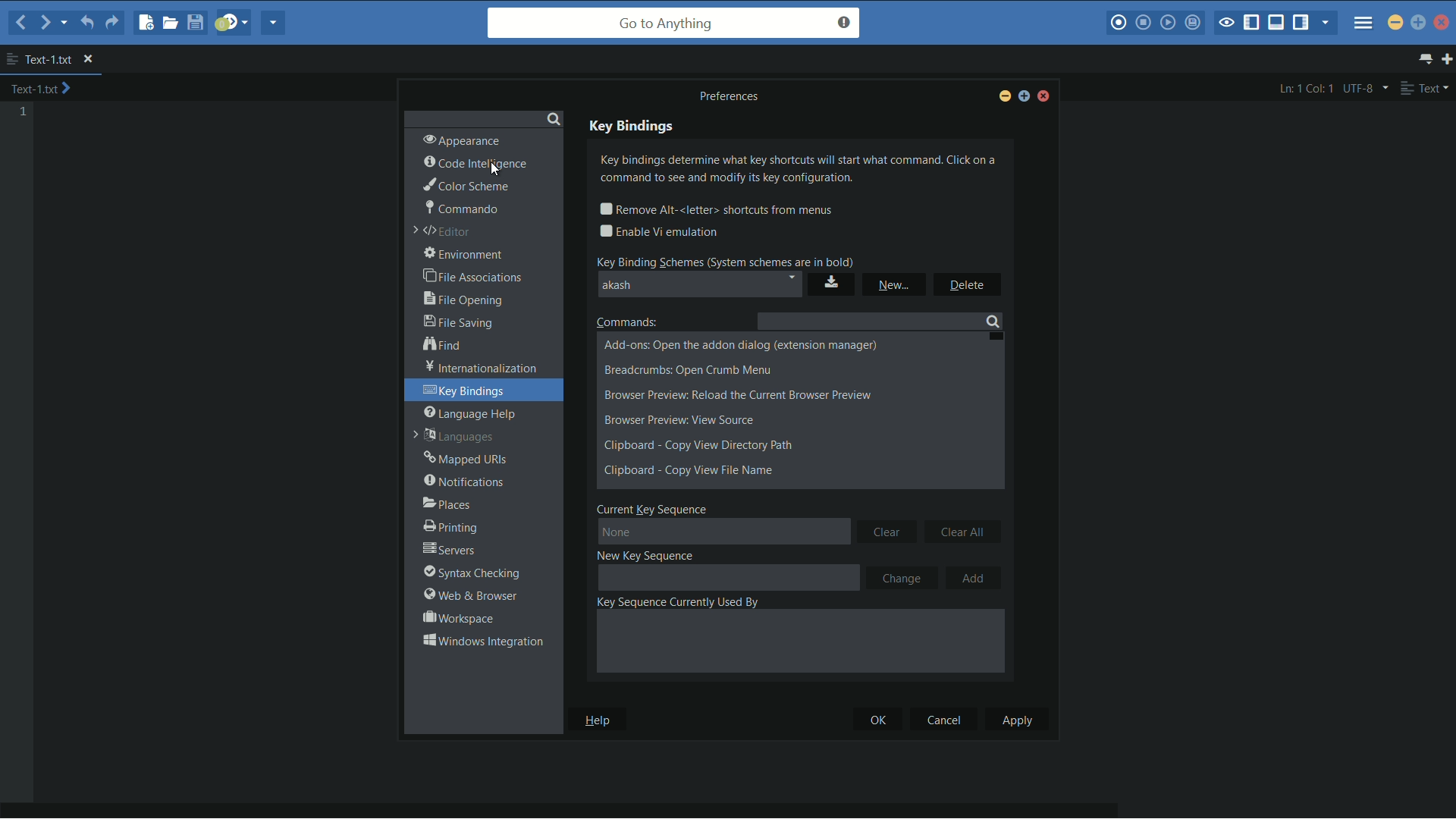 The height and width of the screenshot is (819, 1456). I want to click on line number, so click(24, 112).